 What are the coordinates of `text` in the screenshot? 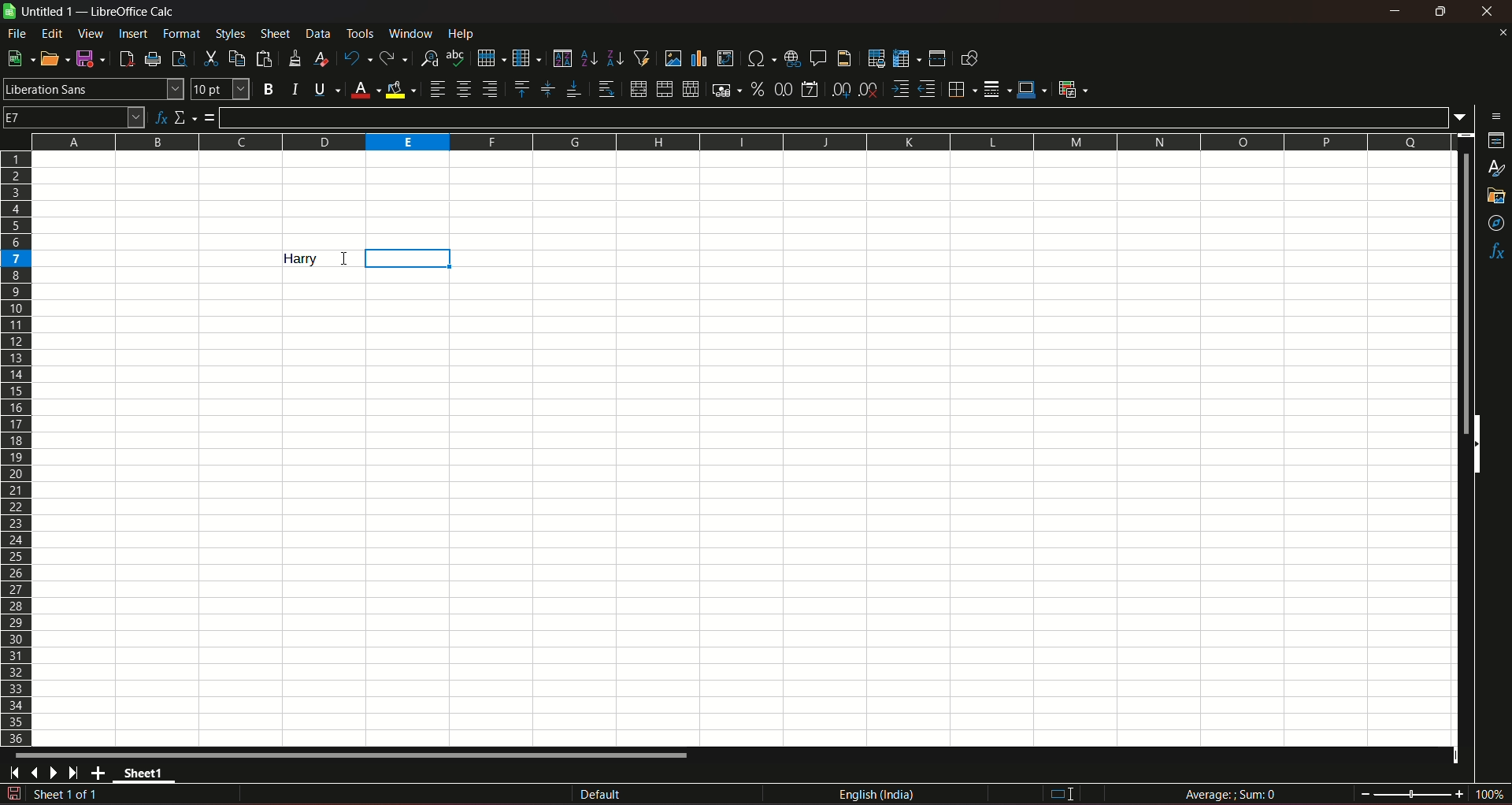 It's located at (299, 258).